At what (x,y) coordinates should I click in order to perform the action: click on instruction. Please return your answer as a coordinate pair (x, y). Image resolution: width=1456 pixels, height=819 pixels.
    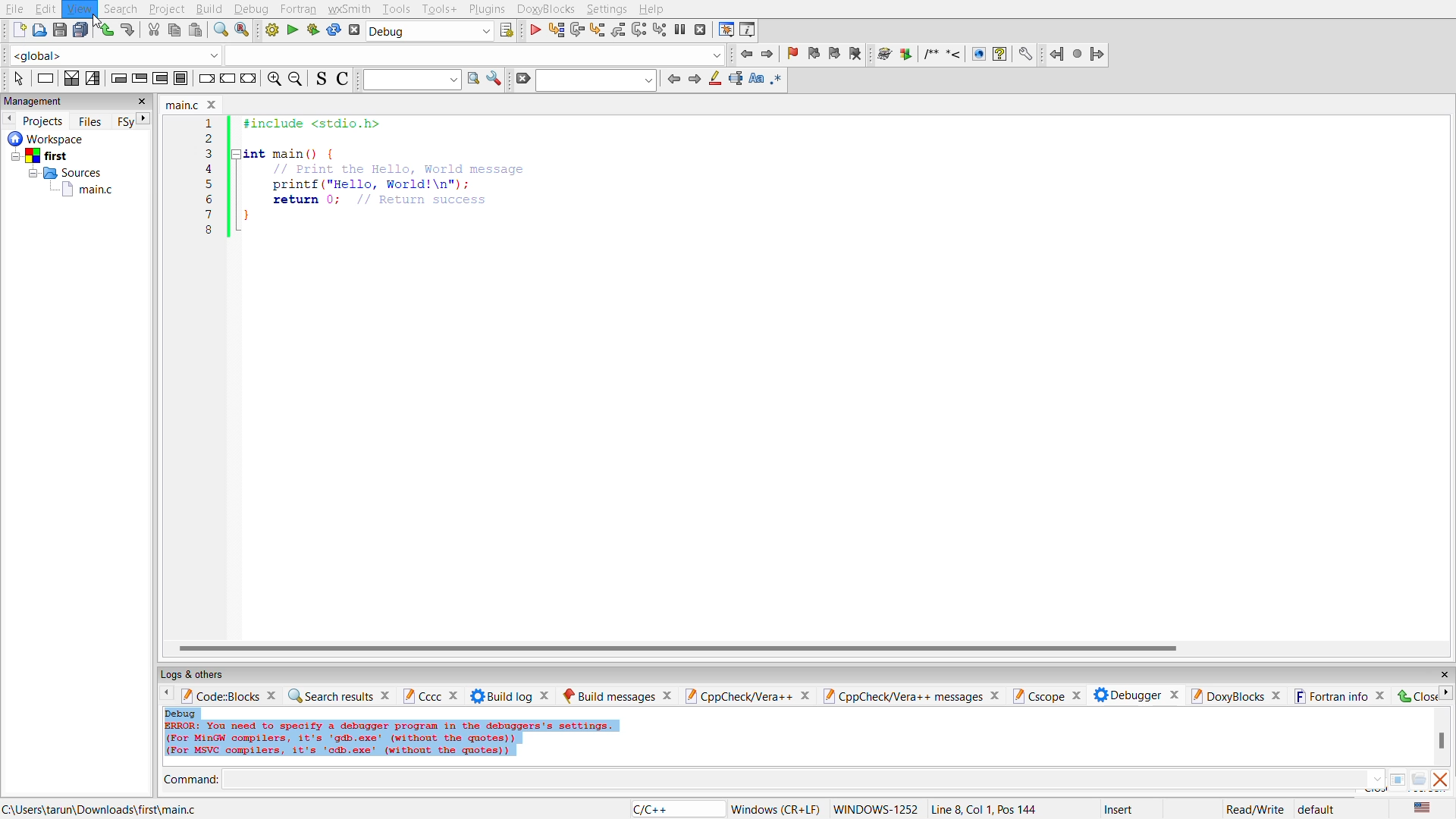
    Looking at the image, I should click on (45, 78).